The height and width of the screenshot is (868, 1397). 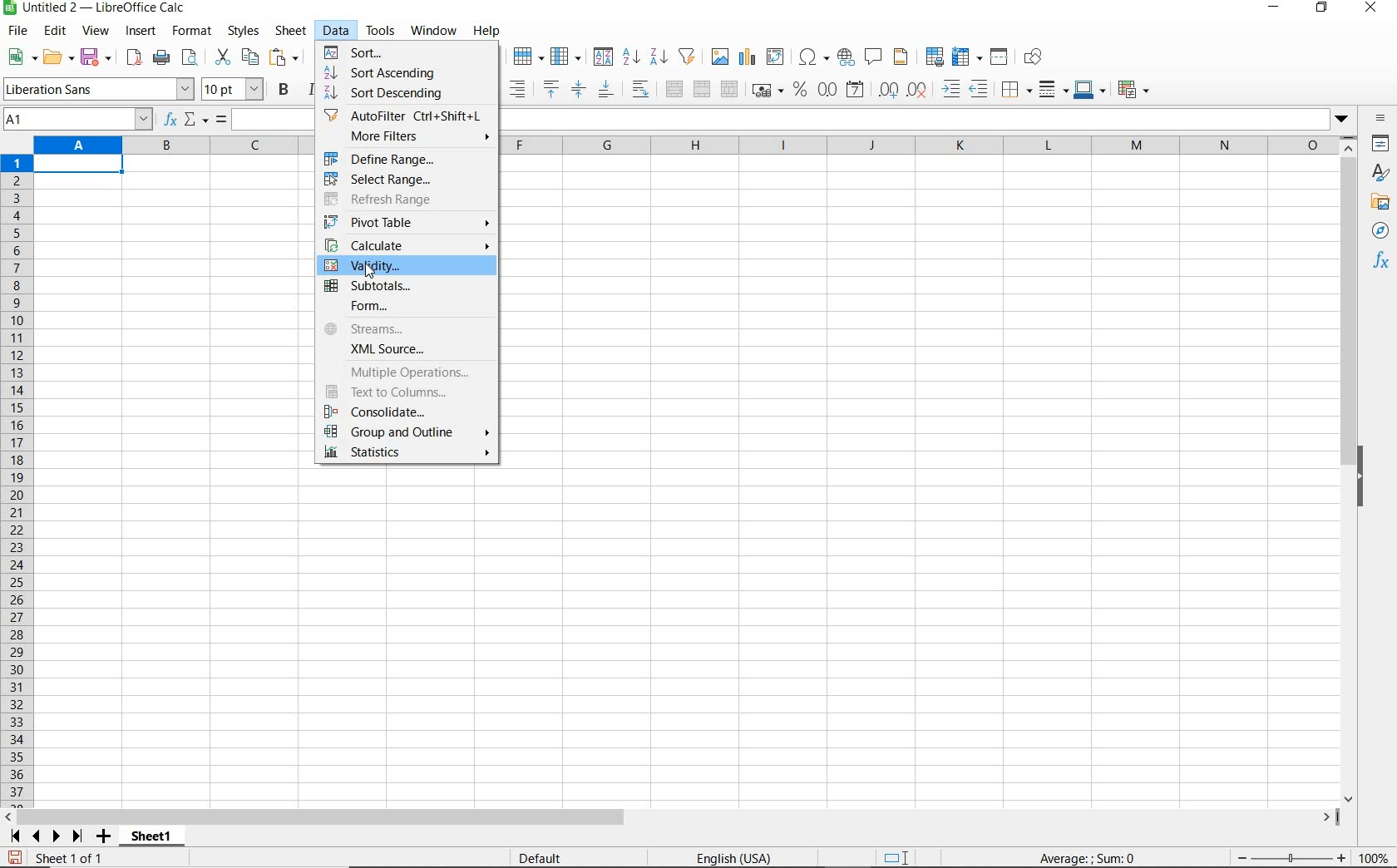 I want to click on help, so click(x=486, y=31).